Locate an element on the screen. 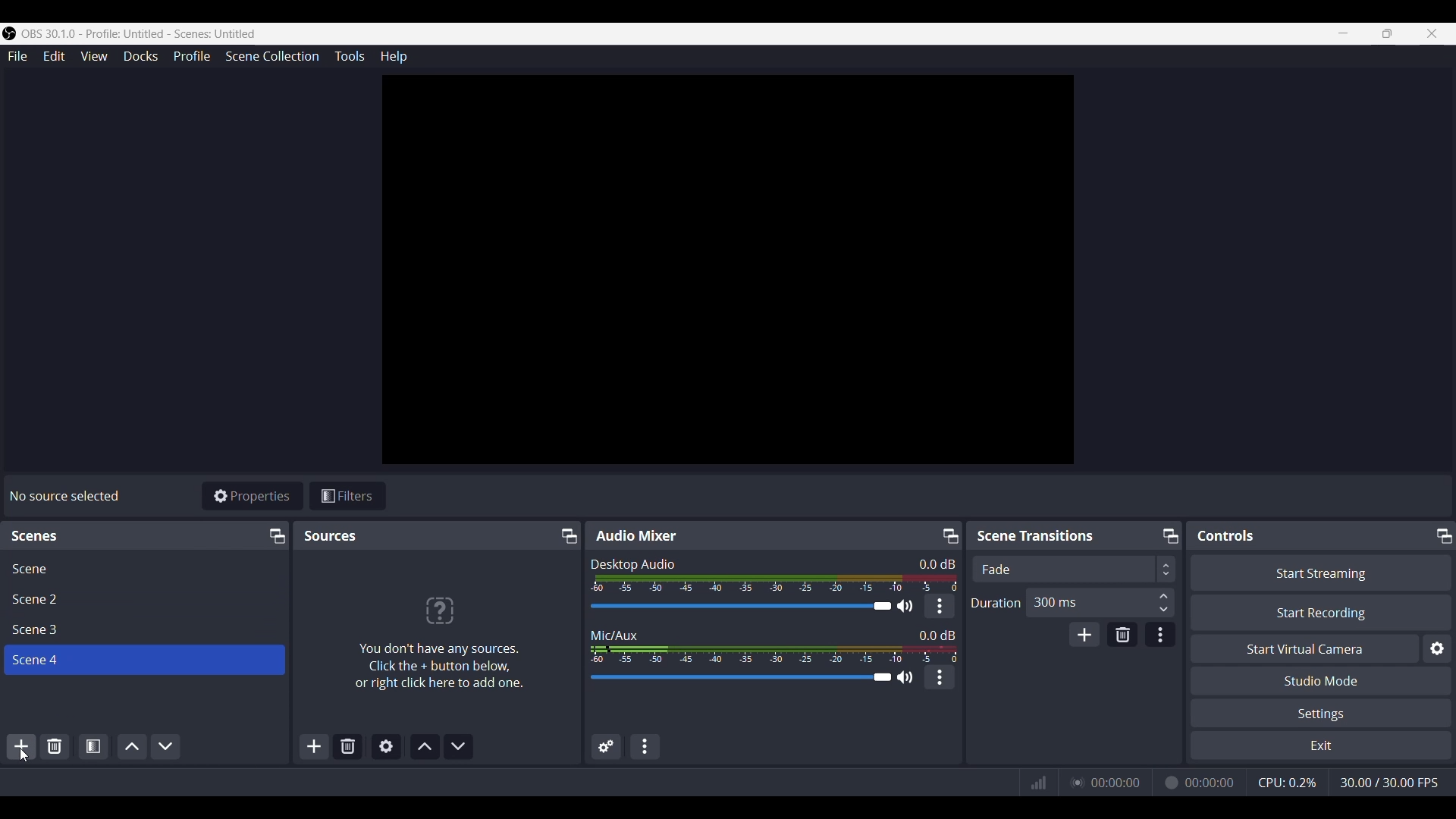 The image size is (1456, 819). Add Sources is located at coordinates (312, 747).